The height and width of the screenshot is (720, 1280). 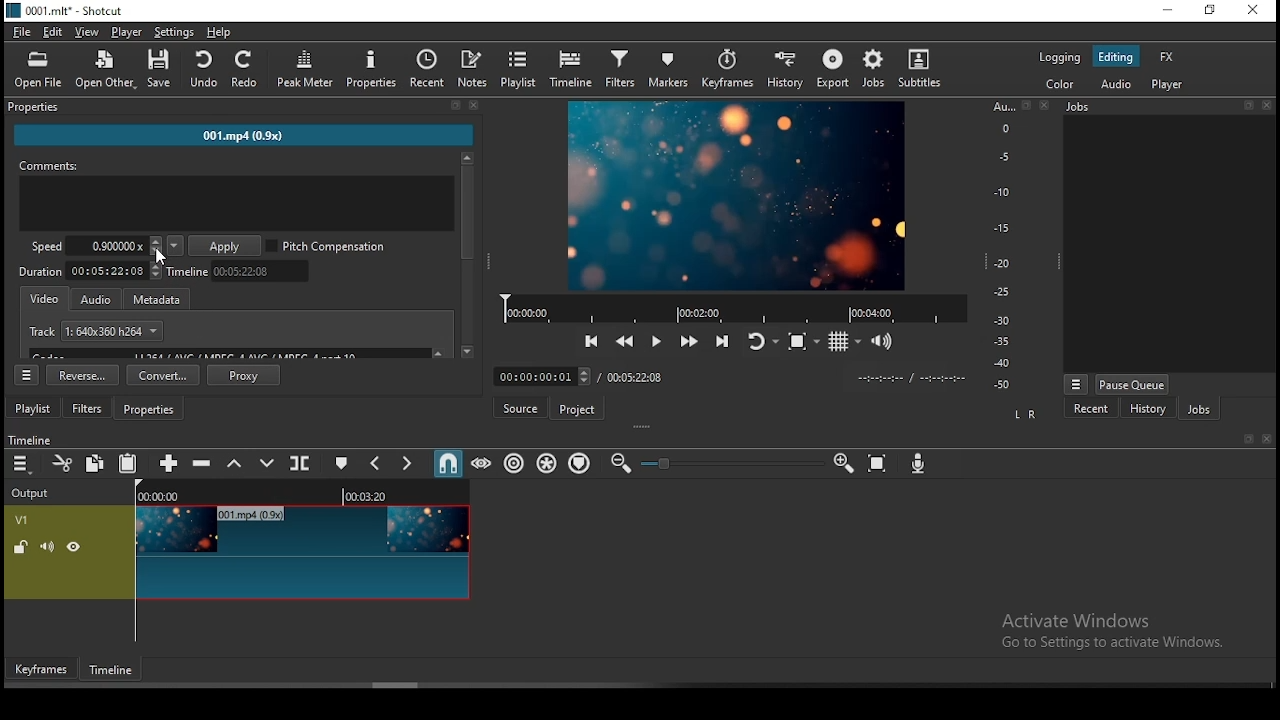 I want to click on timeline, so click(x=238, y=273).